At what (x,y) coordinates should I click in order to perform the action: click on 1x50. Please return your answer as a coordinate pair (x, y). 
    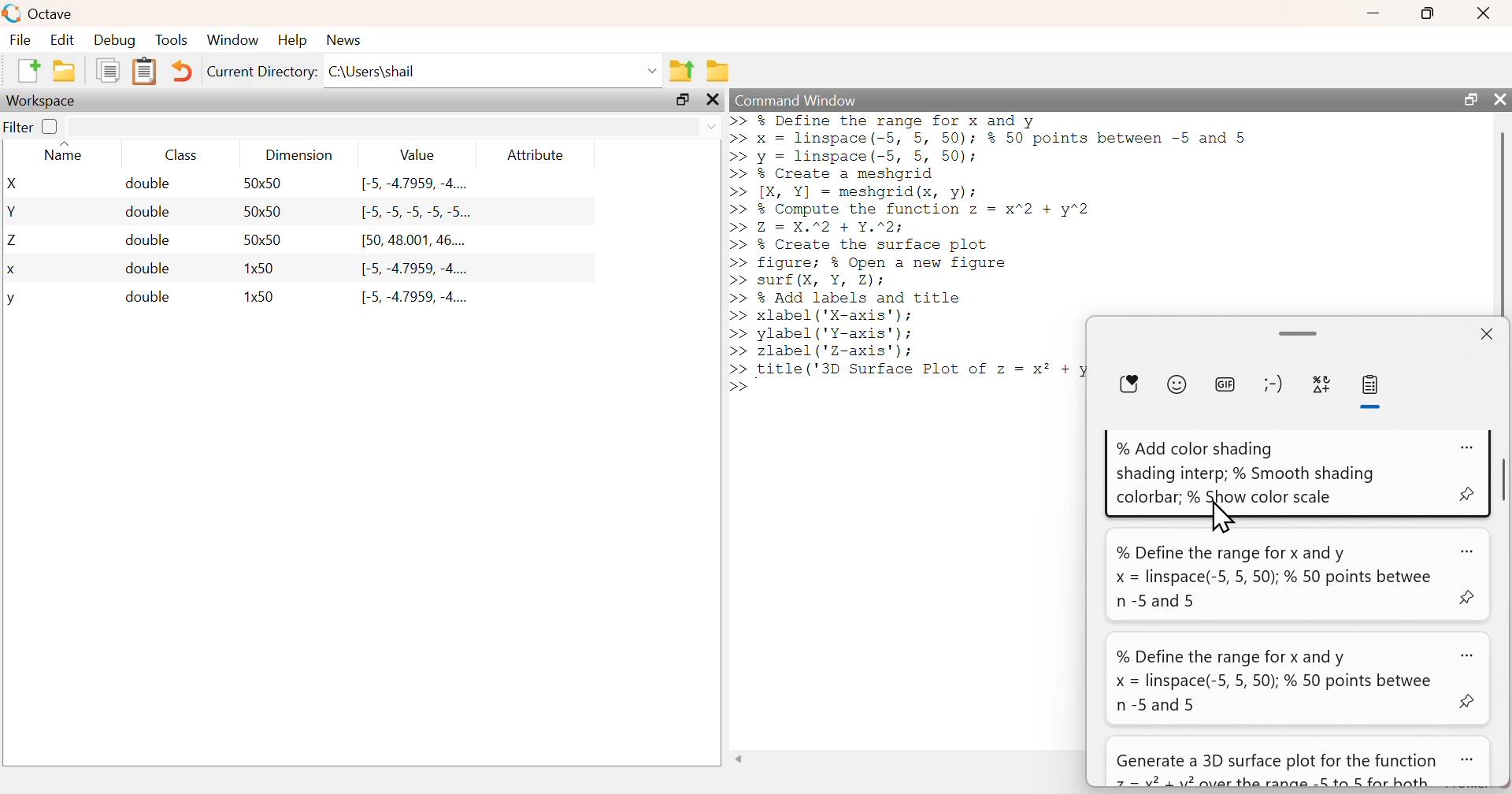
    Looking at the image, I should click on (261, 268).